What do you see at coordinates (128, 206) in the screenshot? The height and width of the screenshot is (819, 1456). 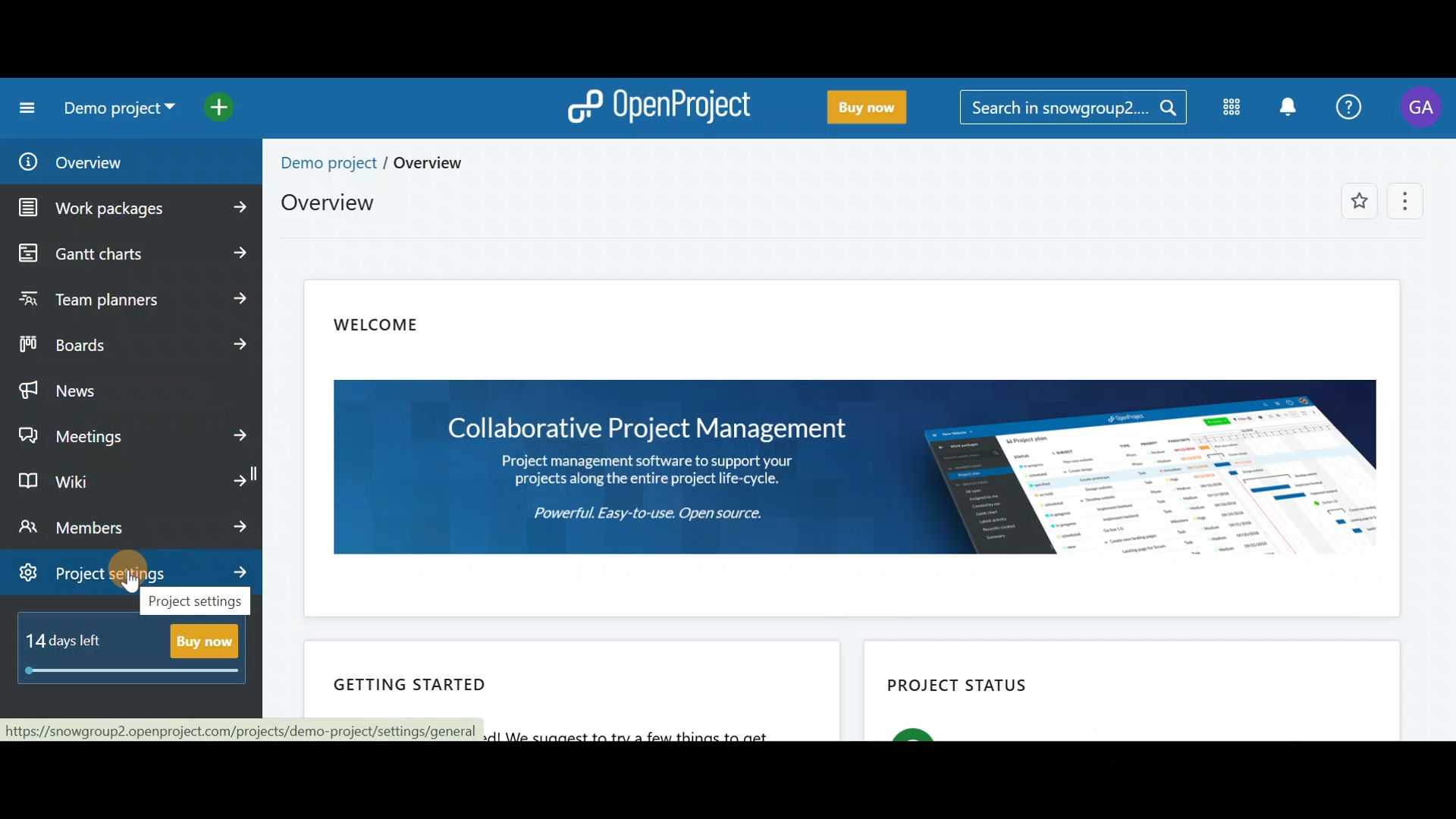 I see `Work packages` at bounding box center [128, 206].